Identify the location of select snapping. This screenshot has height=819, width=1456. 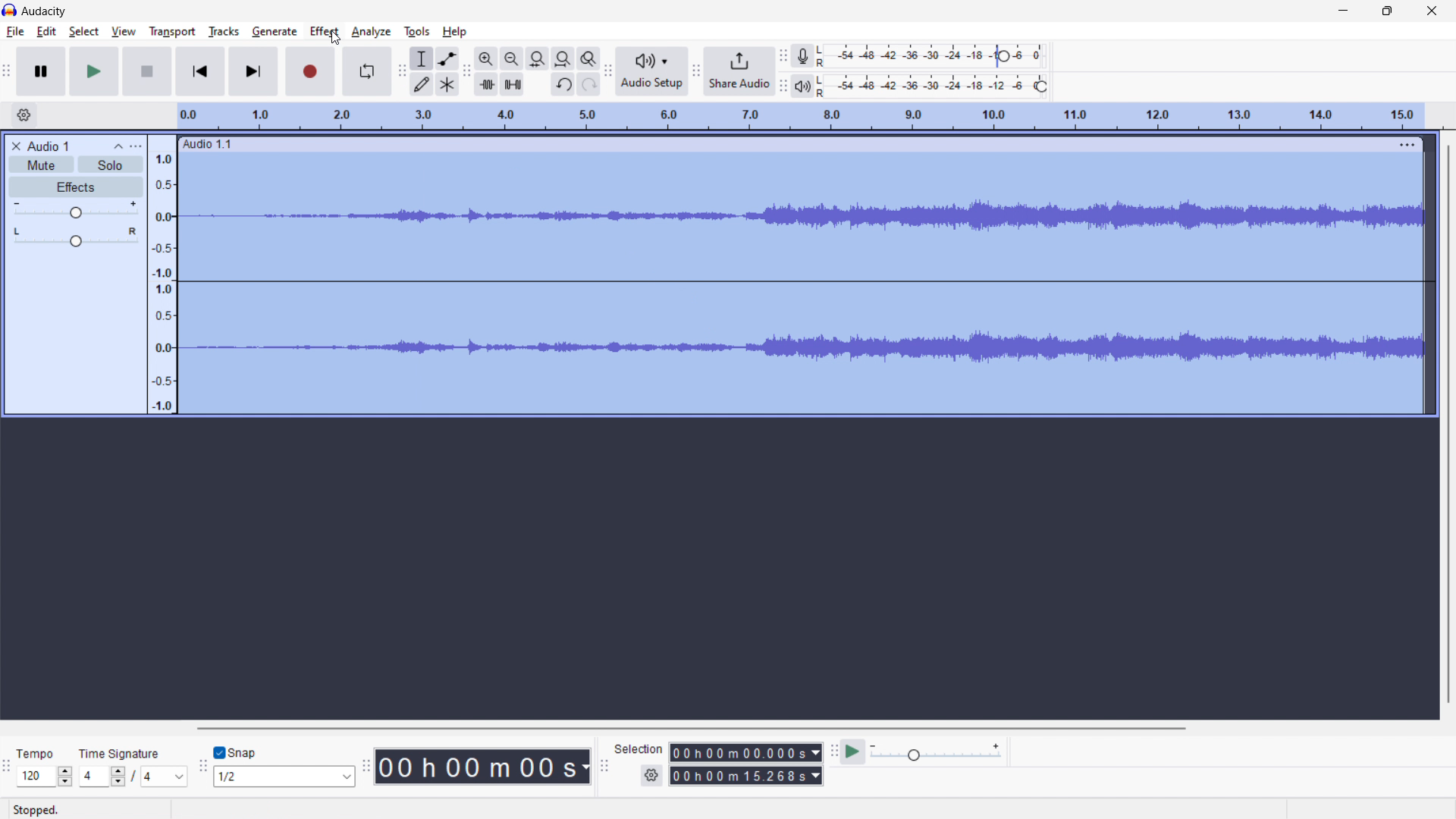
(283, 777).